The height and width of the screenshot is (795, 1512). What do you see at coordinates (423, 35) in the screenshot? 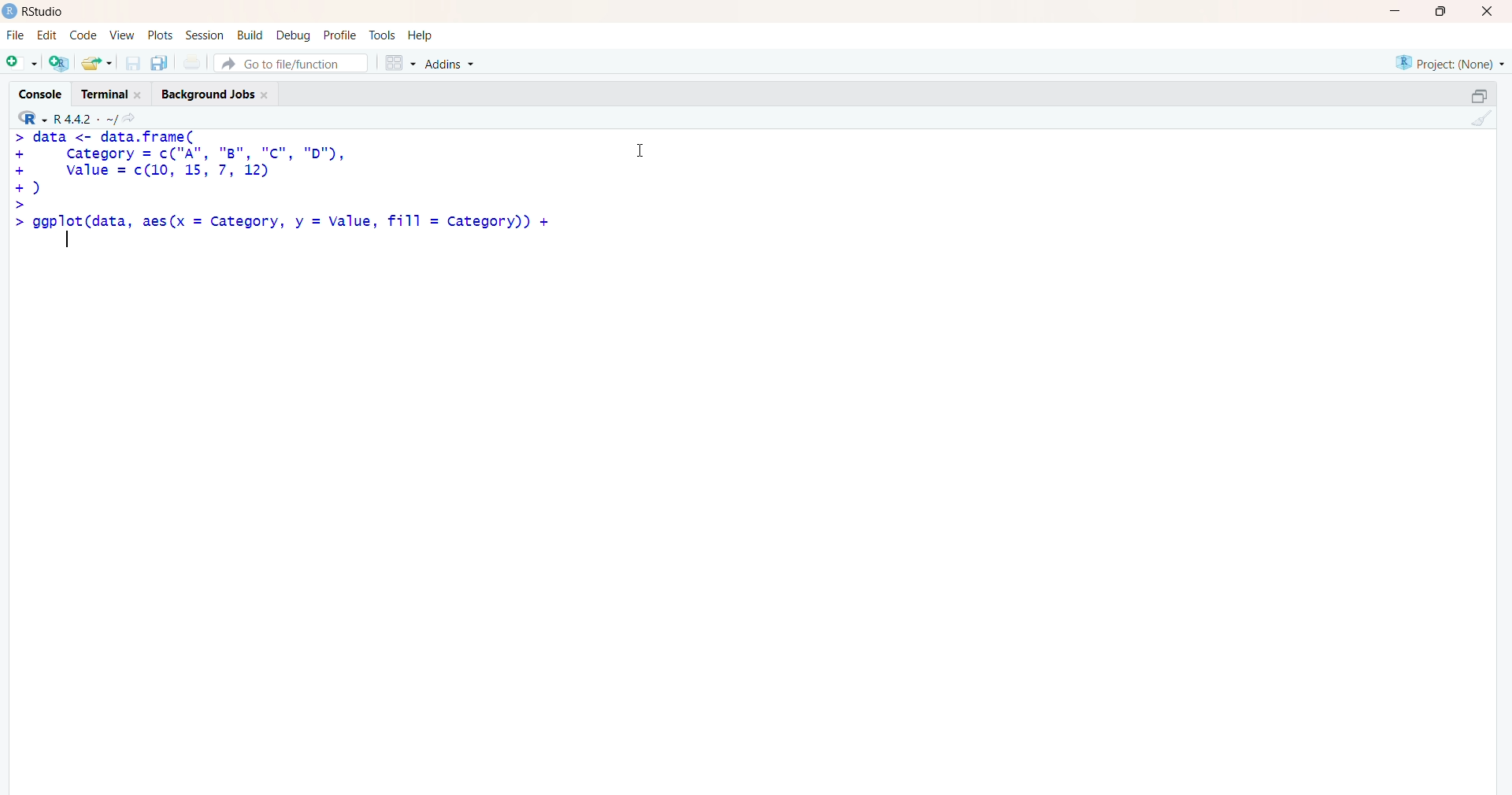
I see `help` at bounding box center [423, 35].